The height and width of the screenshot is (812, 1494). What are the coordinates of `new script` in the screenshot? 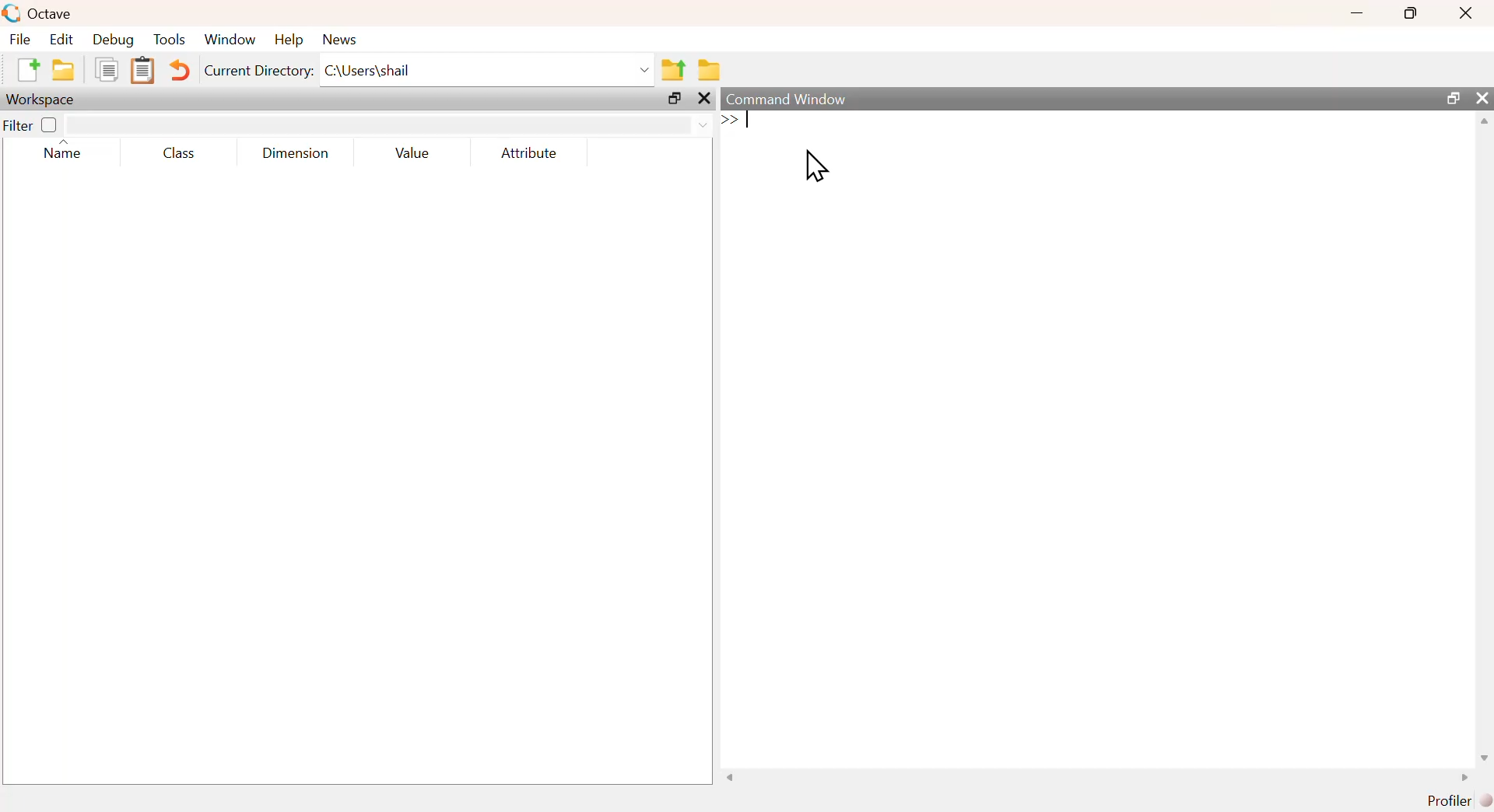 It's located at (29, 72).